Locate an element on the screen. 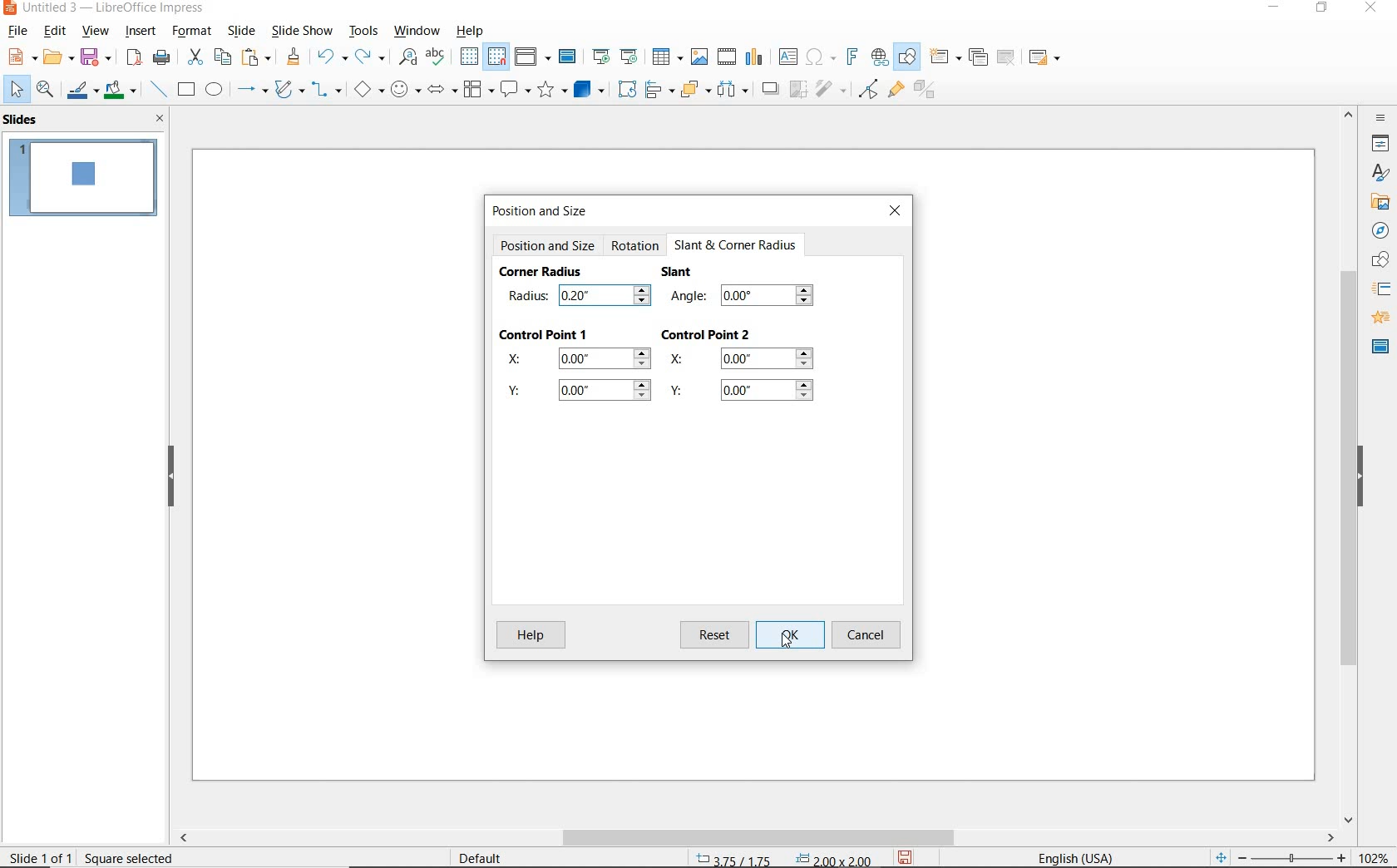 This screenshot has width=1397, height=868. animation is located at coordinates (1378, 317).